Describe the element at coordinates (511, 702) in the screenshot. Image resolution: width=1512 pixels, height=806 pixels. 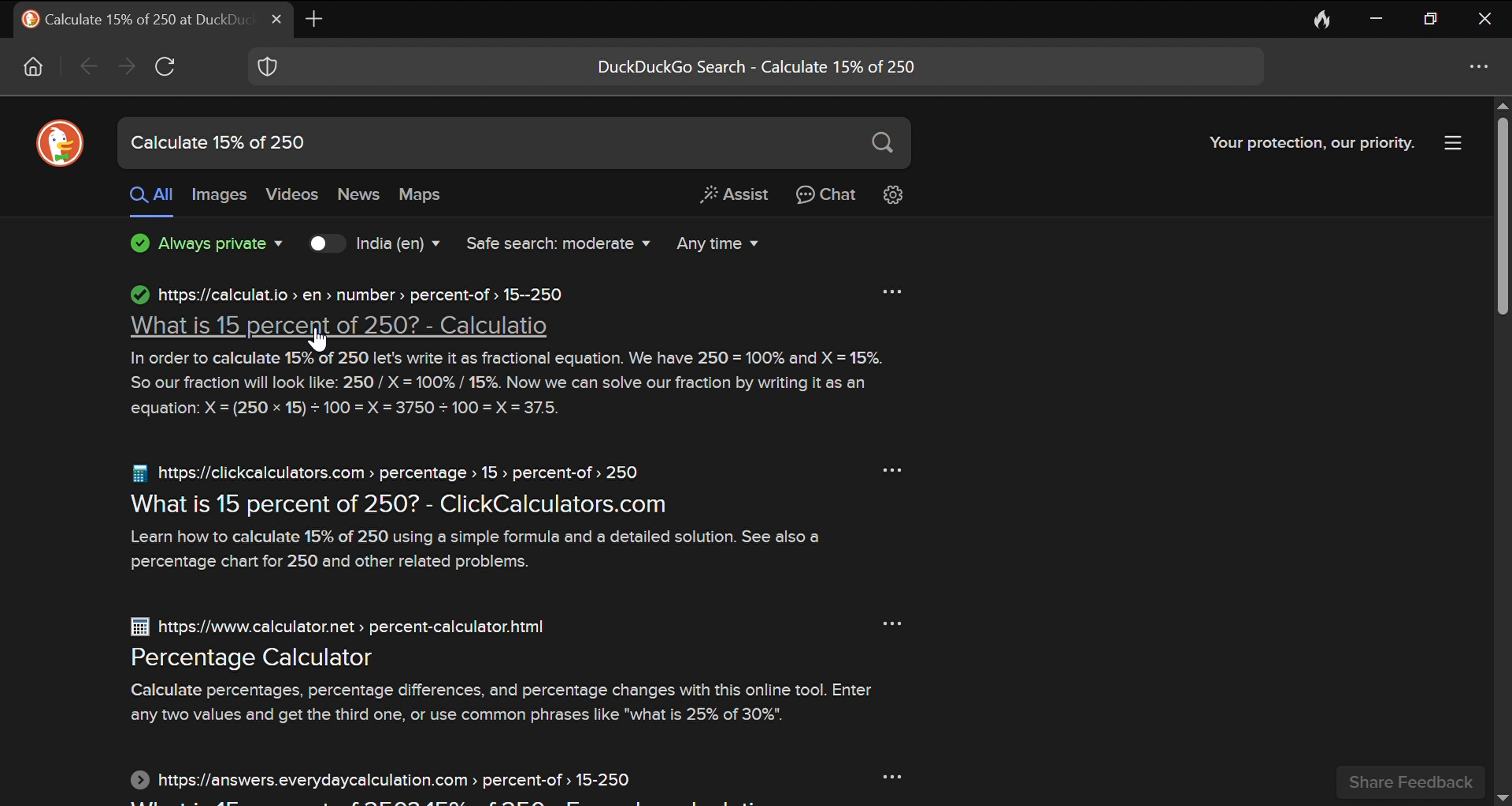
I see `Calculate percentages, percentage differences, and percentage changes with this online tool. Enter
any two values and get the third one, or use common phrases like "what is 25% of 30%".` at that location.